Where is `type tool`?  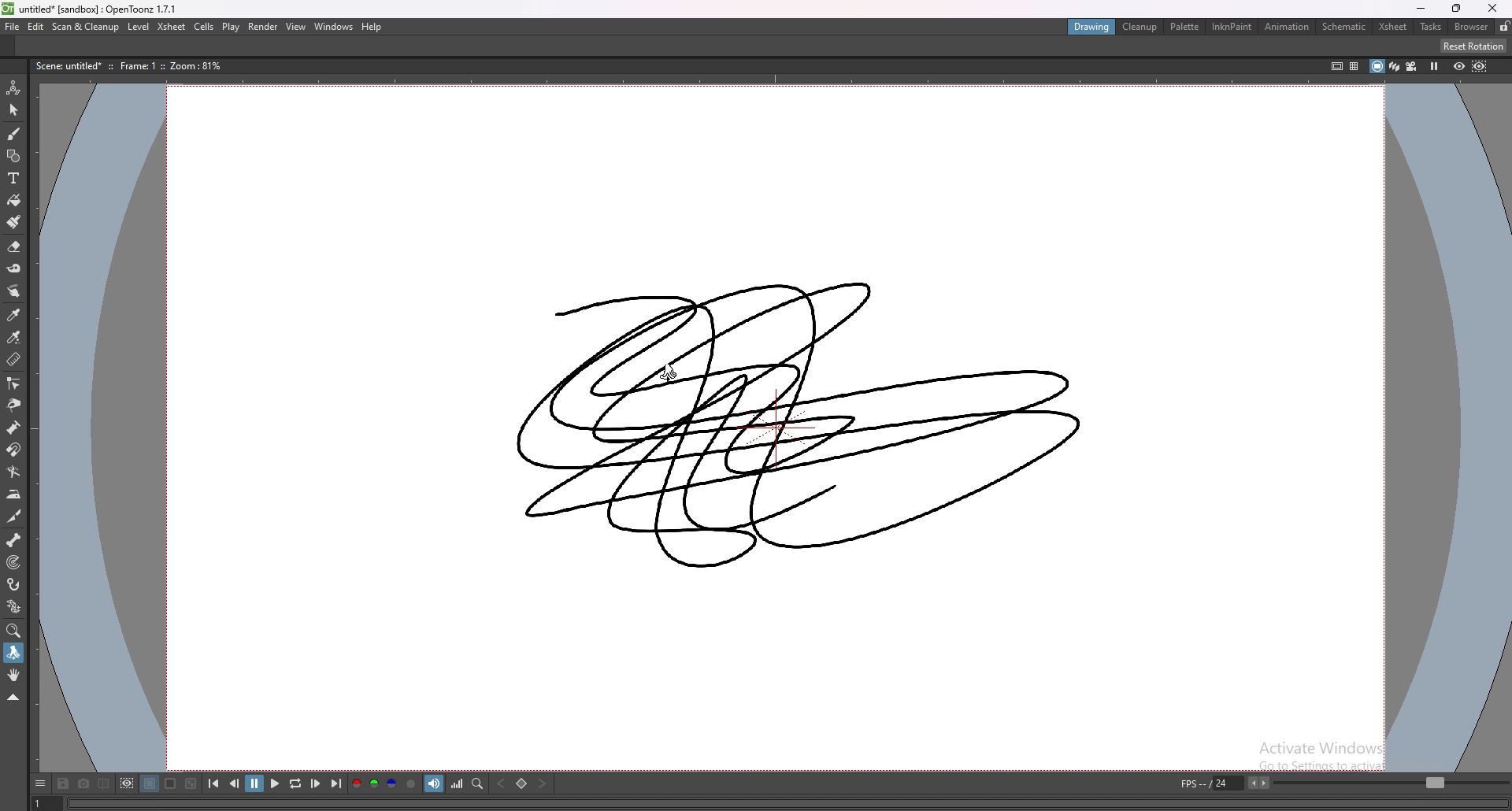
type tool is located at coordinates (13, 177).